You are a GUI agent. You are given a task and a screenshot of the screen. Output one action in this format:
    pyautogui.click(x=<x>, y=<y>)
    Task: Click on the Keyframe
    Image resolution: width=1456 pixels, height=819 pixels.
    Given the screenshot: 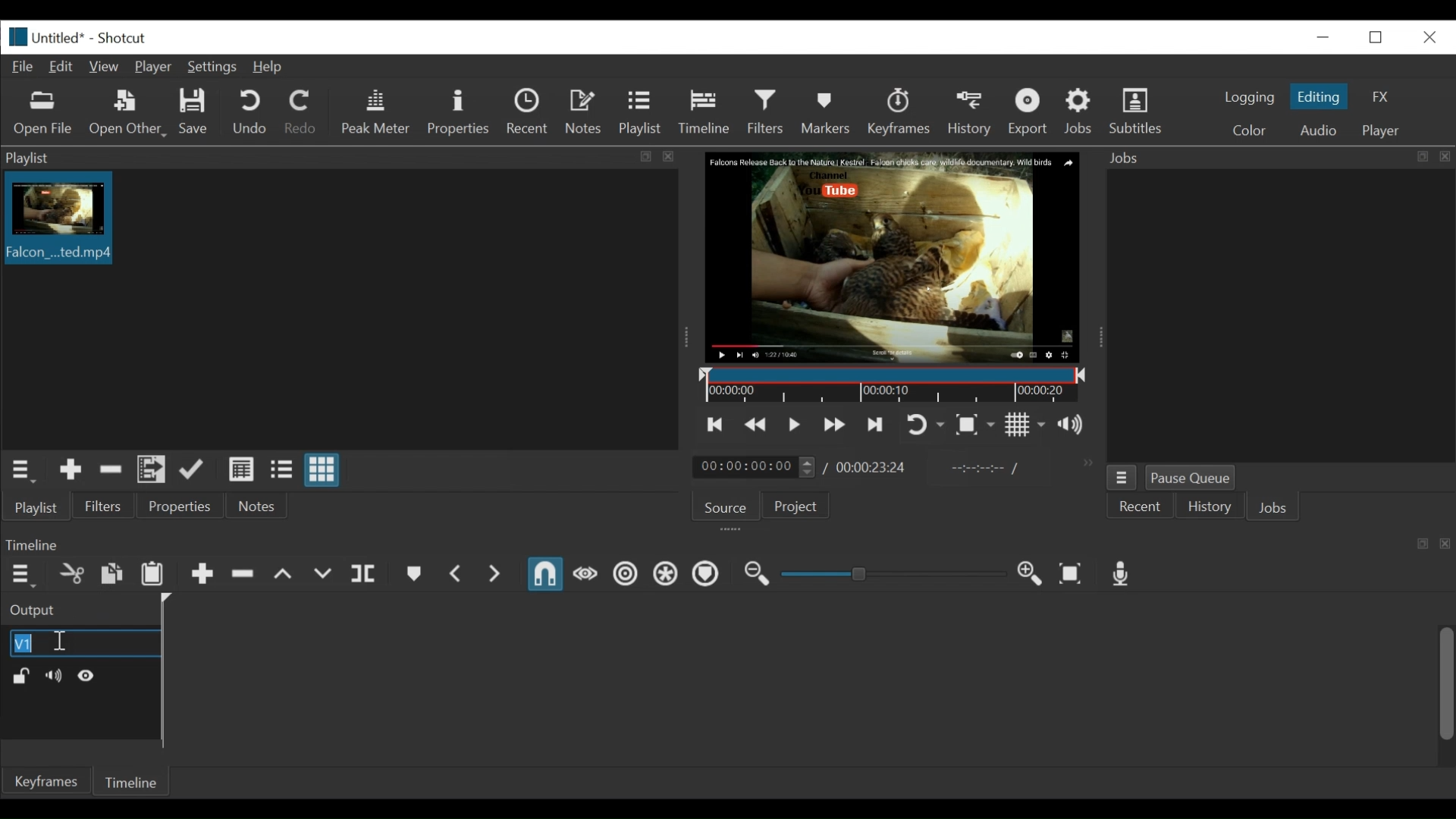 What is the action you would take?
    pyautogui.click(x=899, y=113)
    